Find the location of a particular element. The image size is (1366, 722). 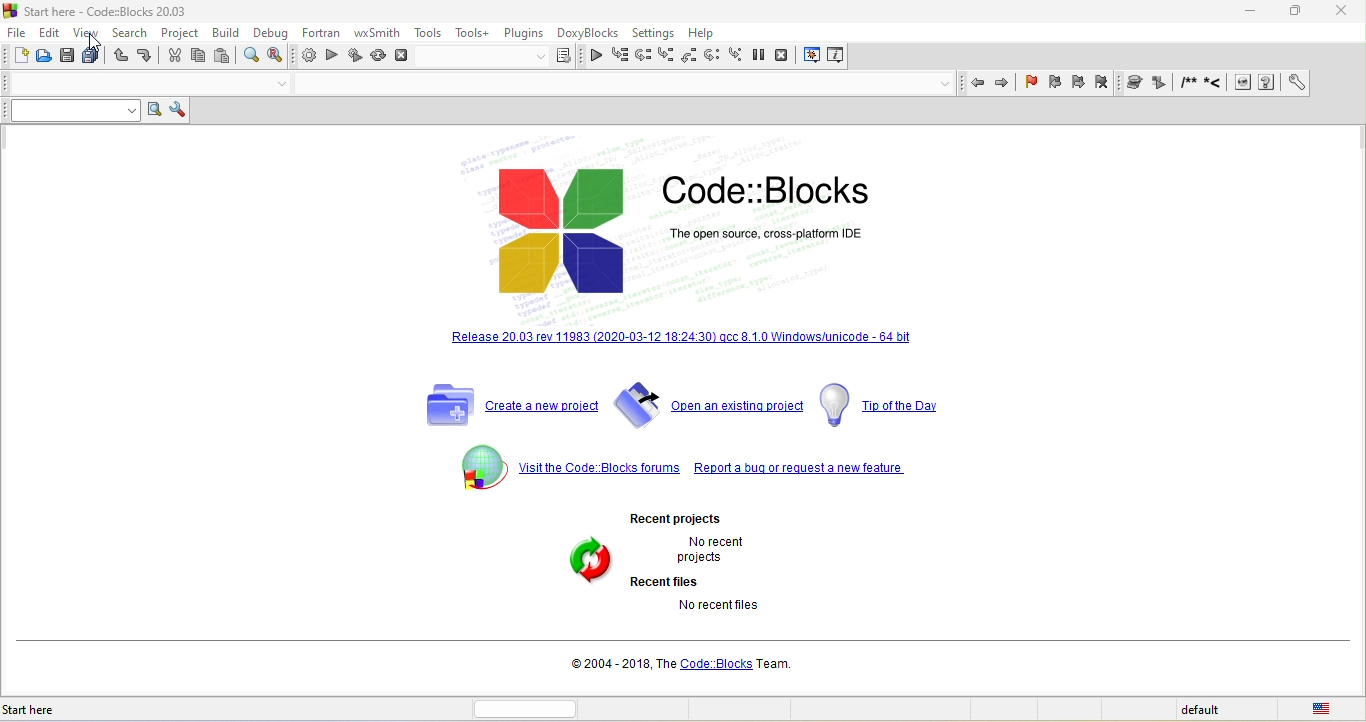

toggle bookmark is located at coordinates (1032, 85).